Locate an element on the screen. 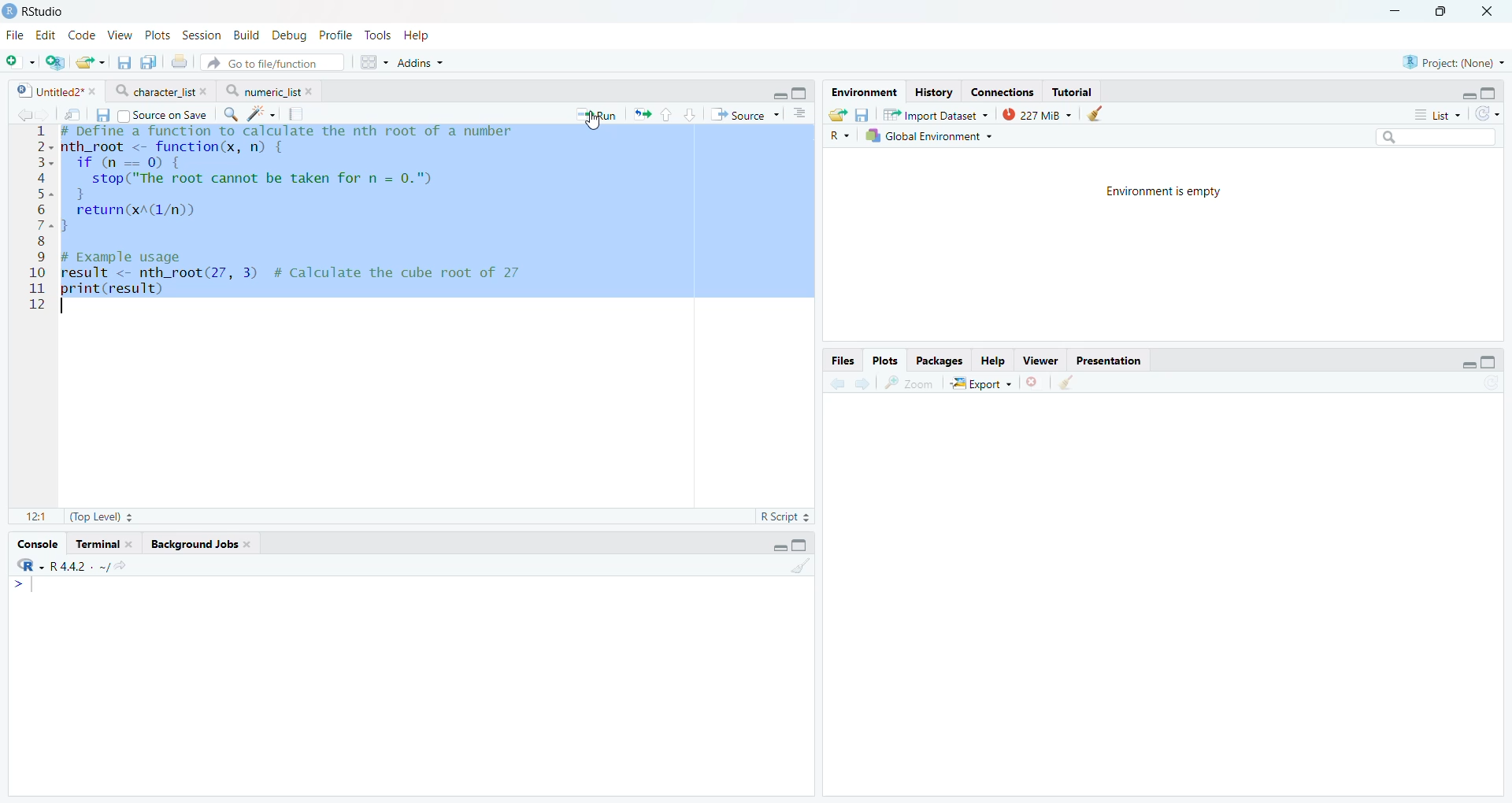 Image resolution: width=1512 pixels, height=803 pixels. Code Tools is located at coordinates (262, 114).